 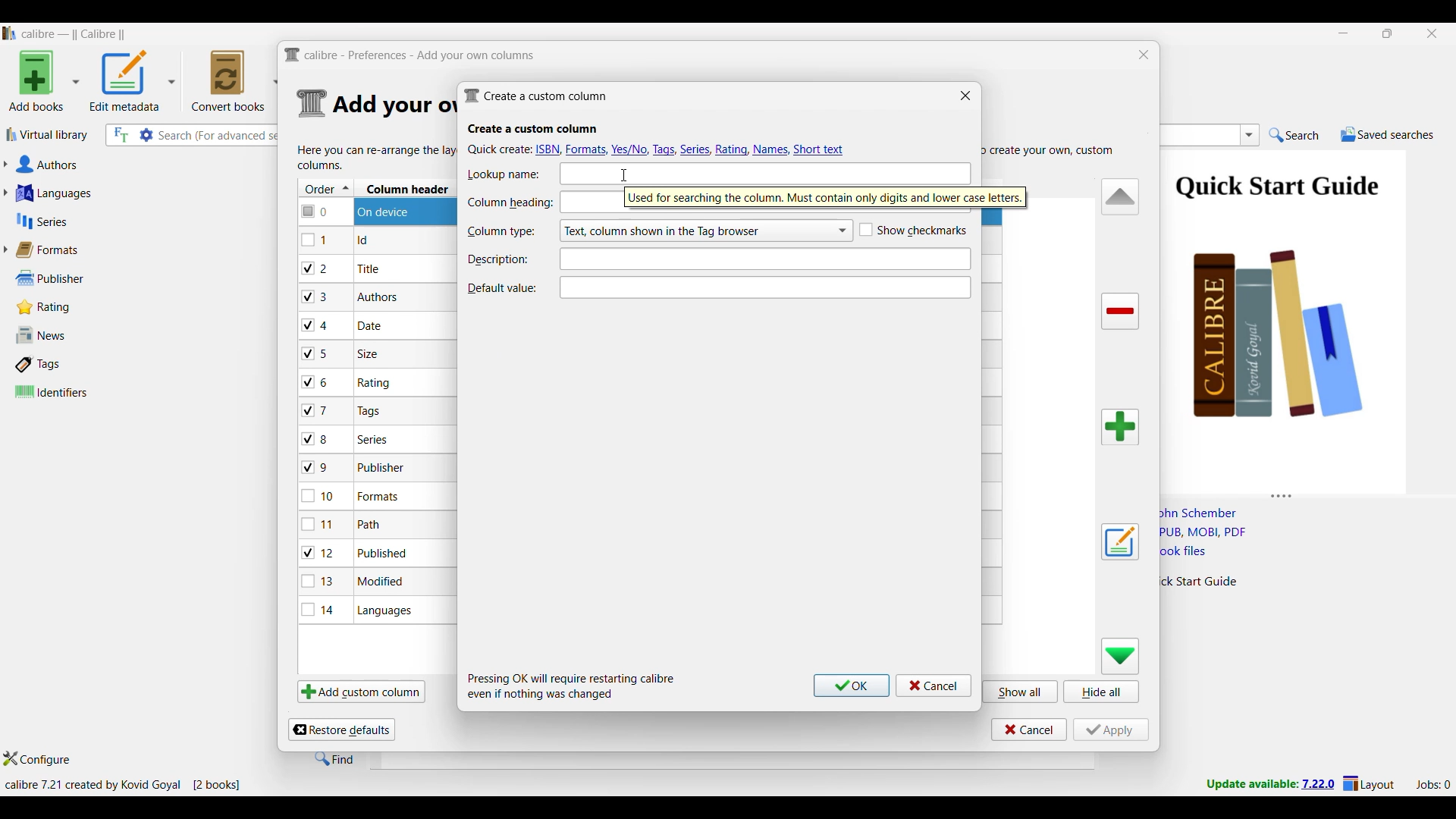 What do you see at coordinates (317, 410) in the screenshot?
I see `checkbox - 7` at bounding box center [317, 410].